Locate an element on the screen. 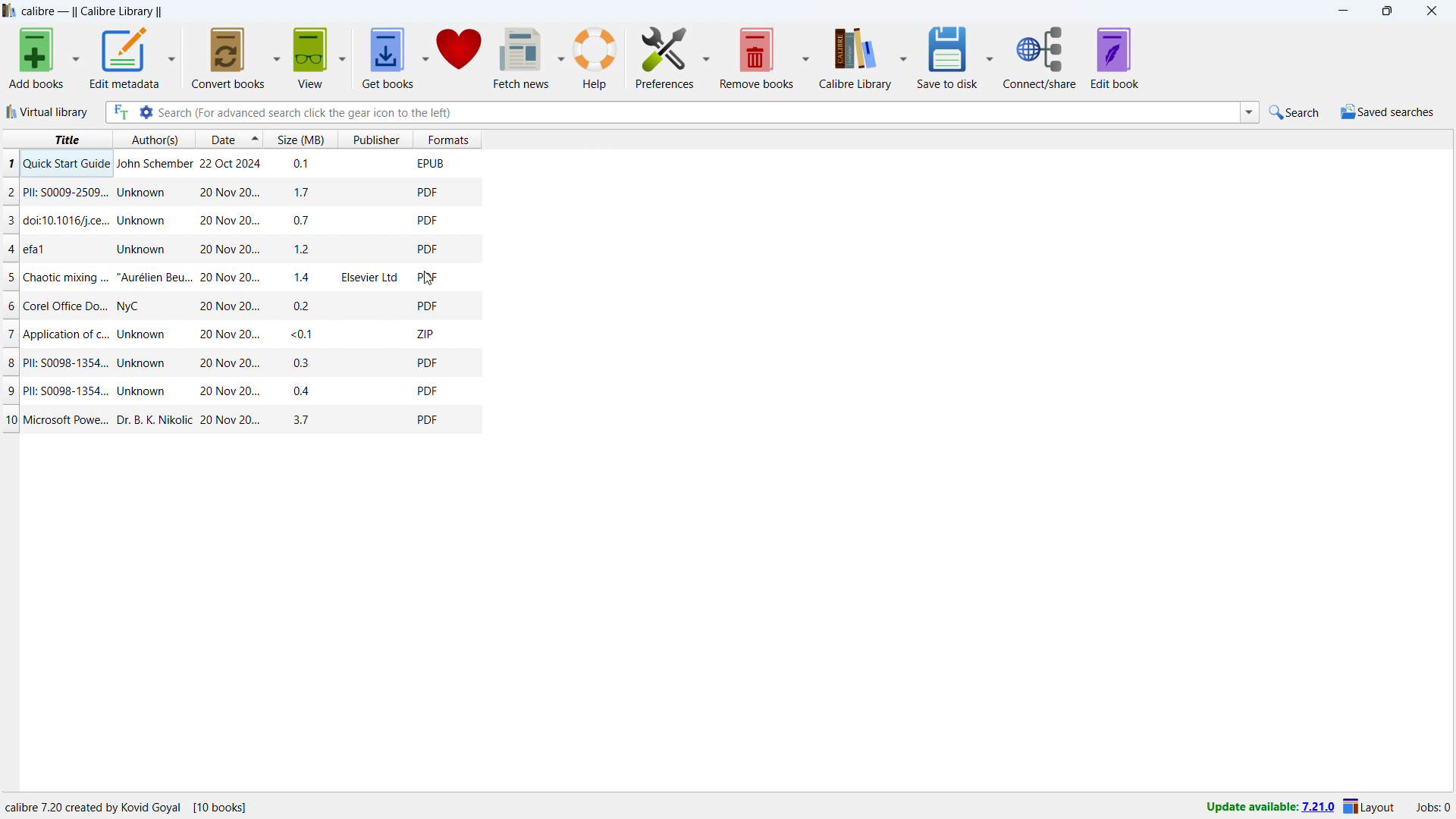 The height and width of the screenshot is (819, 1456). sort by publisher is located at coordinates (425, 139).